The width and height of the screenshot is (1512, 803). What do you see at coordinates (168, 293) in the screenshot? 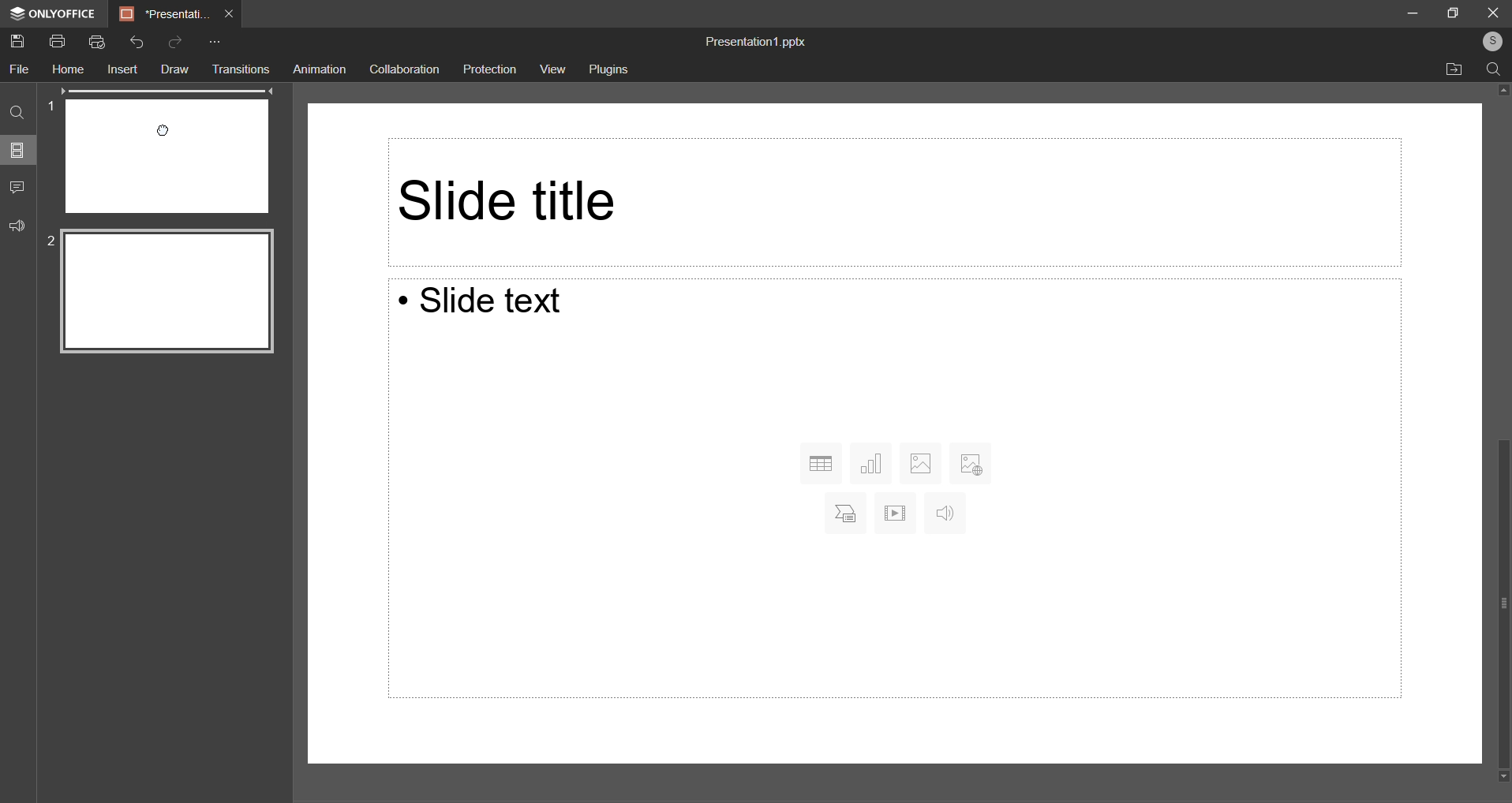
I see `Slide ` at bounding box center [168, 293].